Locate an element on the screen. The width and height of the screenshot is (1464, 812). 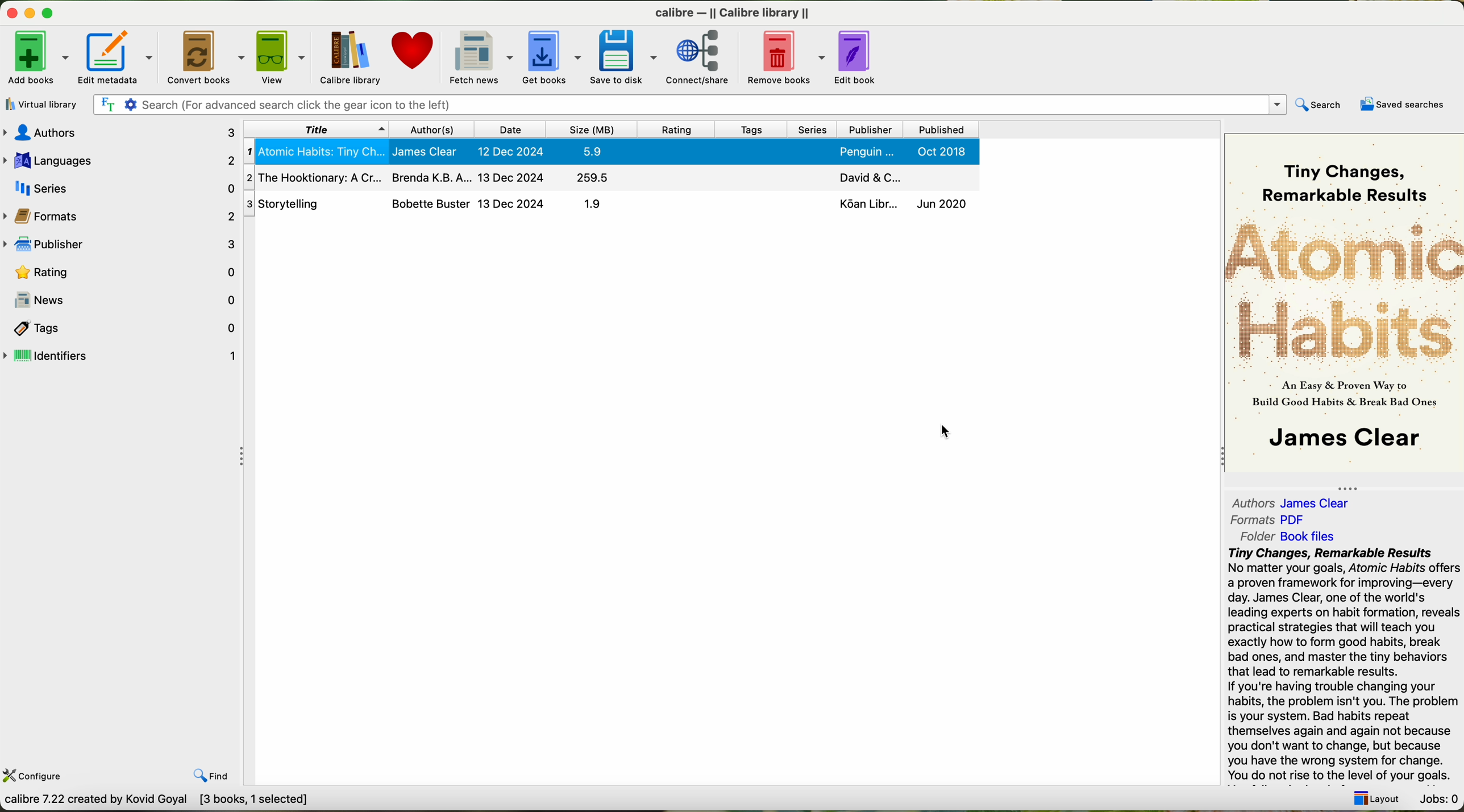
add books is located at coordinates (36, 56).